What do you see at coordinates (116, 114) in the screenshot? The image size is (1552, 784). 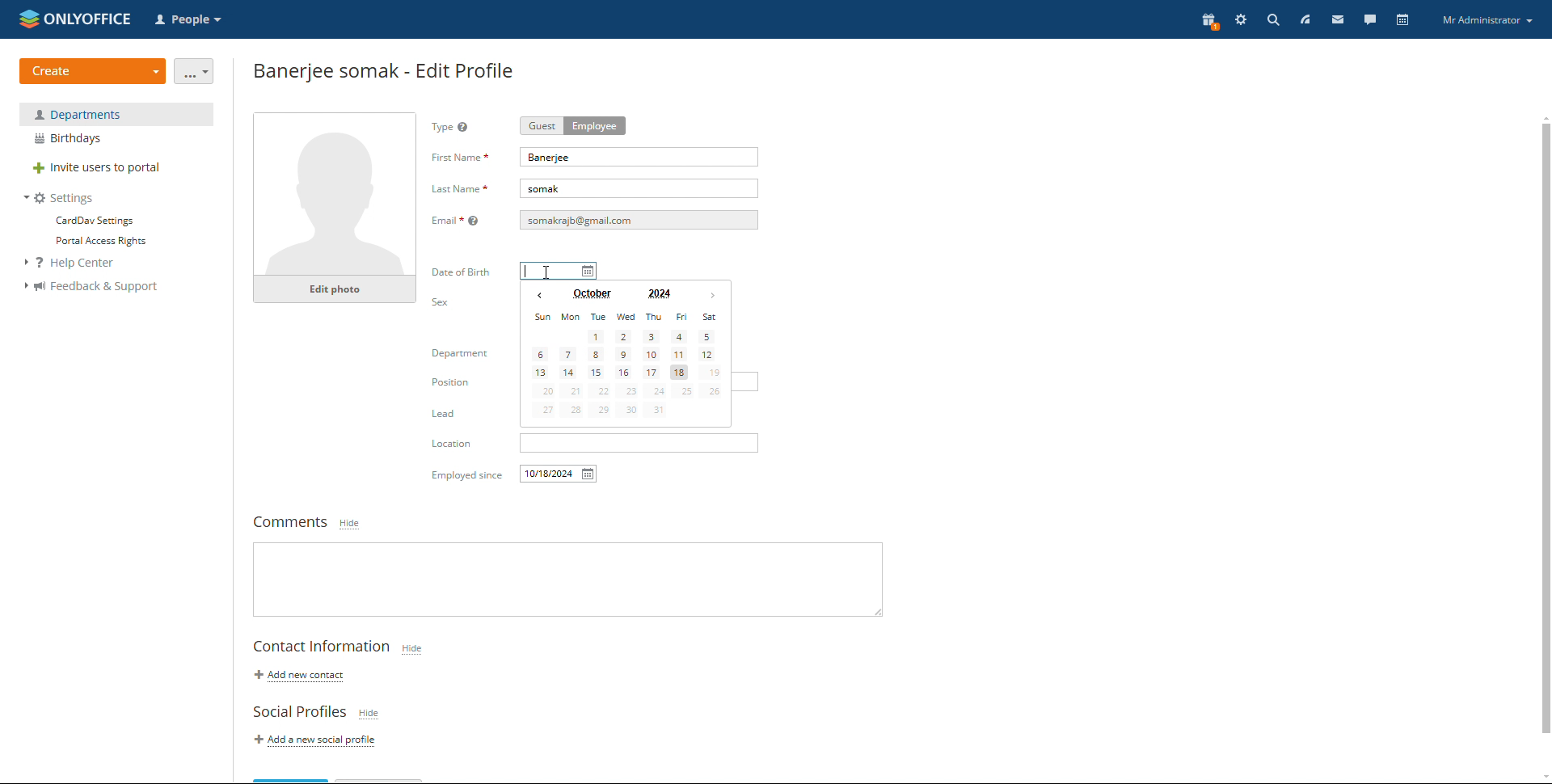 I see `department` at bounding box center [116, 114].